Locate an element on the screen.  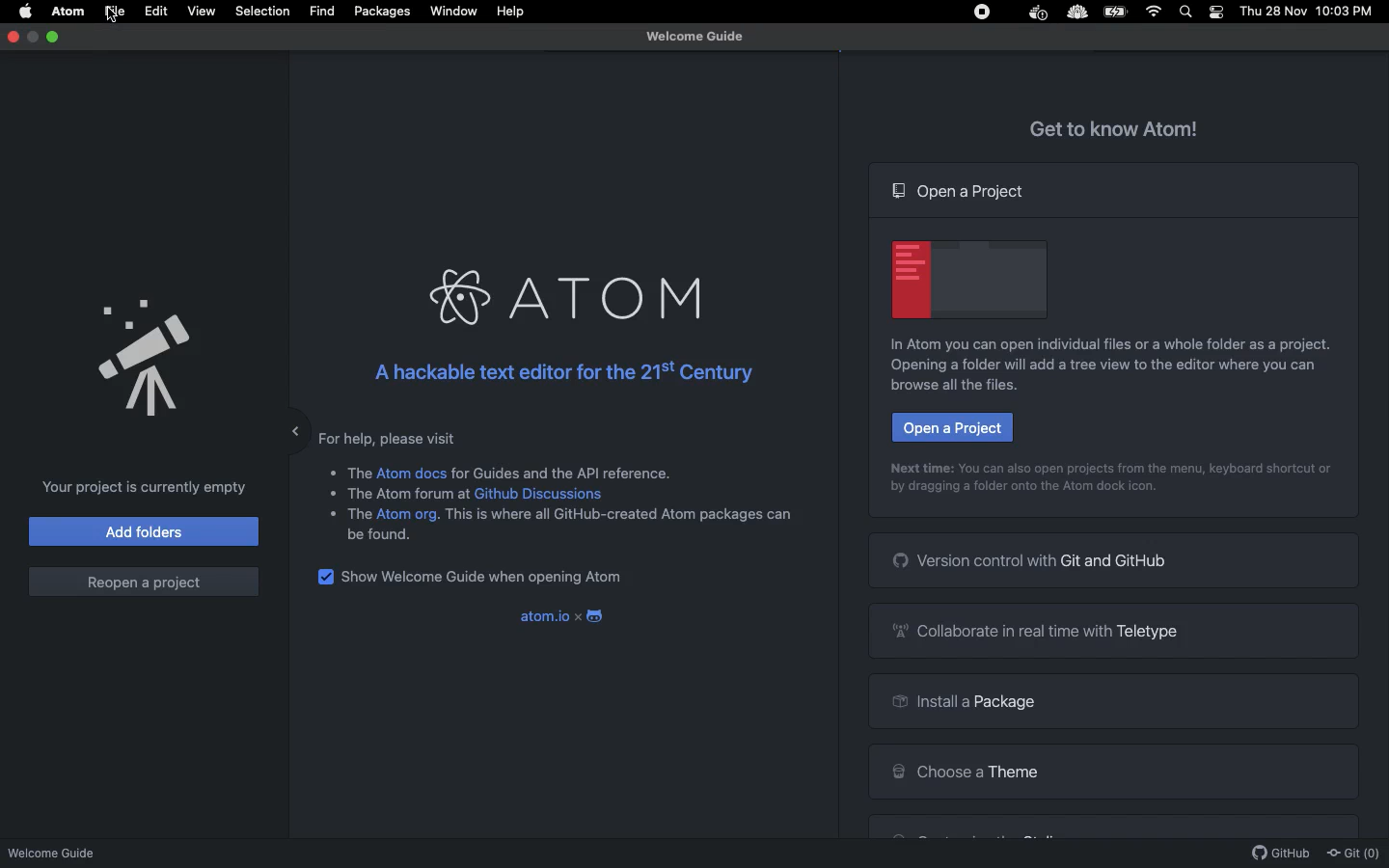
text is located at coordinates (411, 497).